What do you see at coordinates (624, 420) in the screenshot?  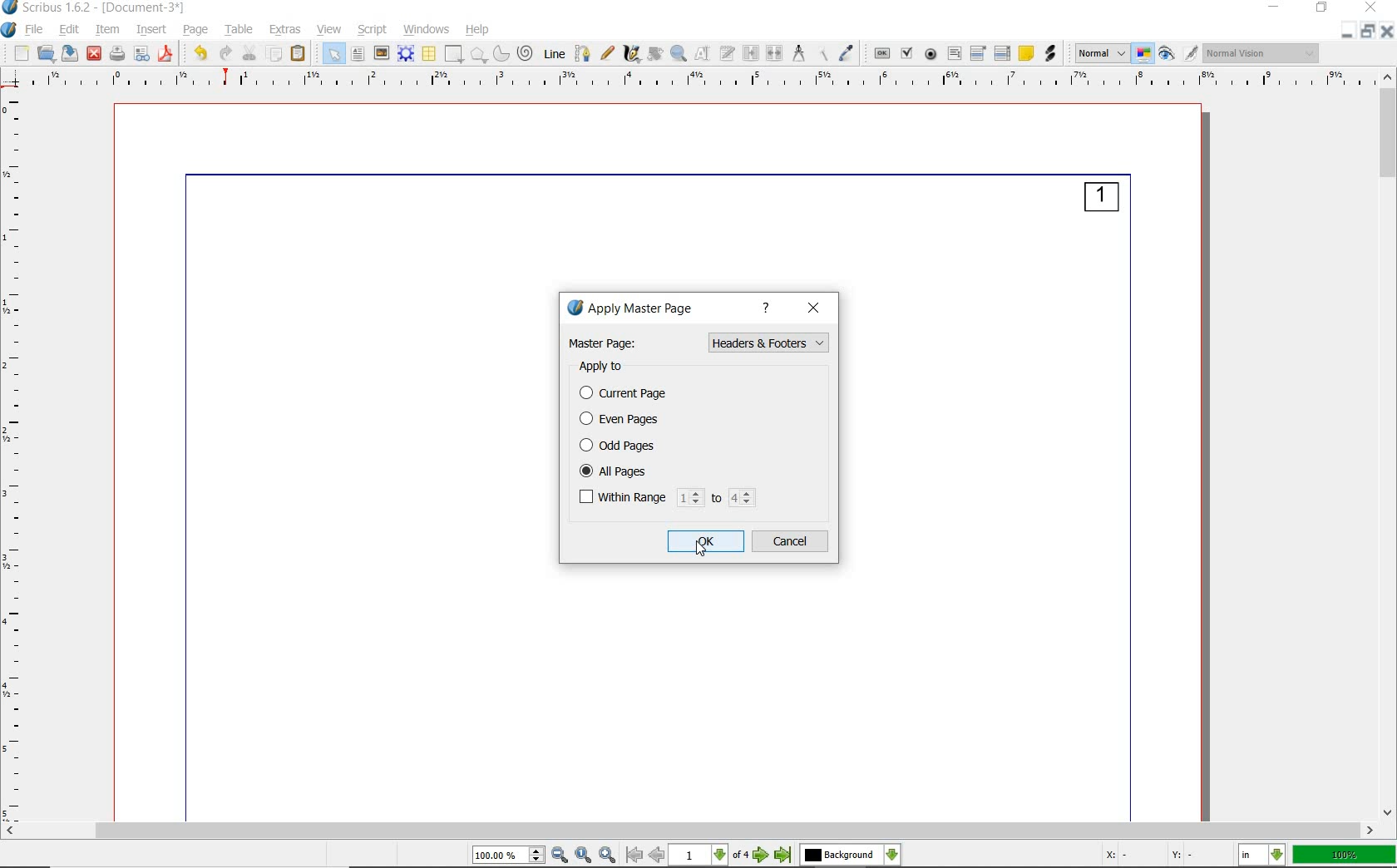 I see `even pages` at bounding box center [624, 420].